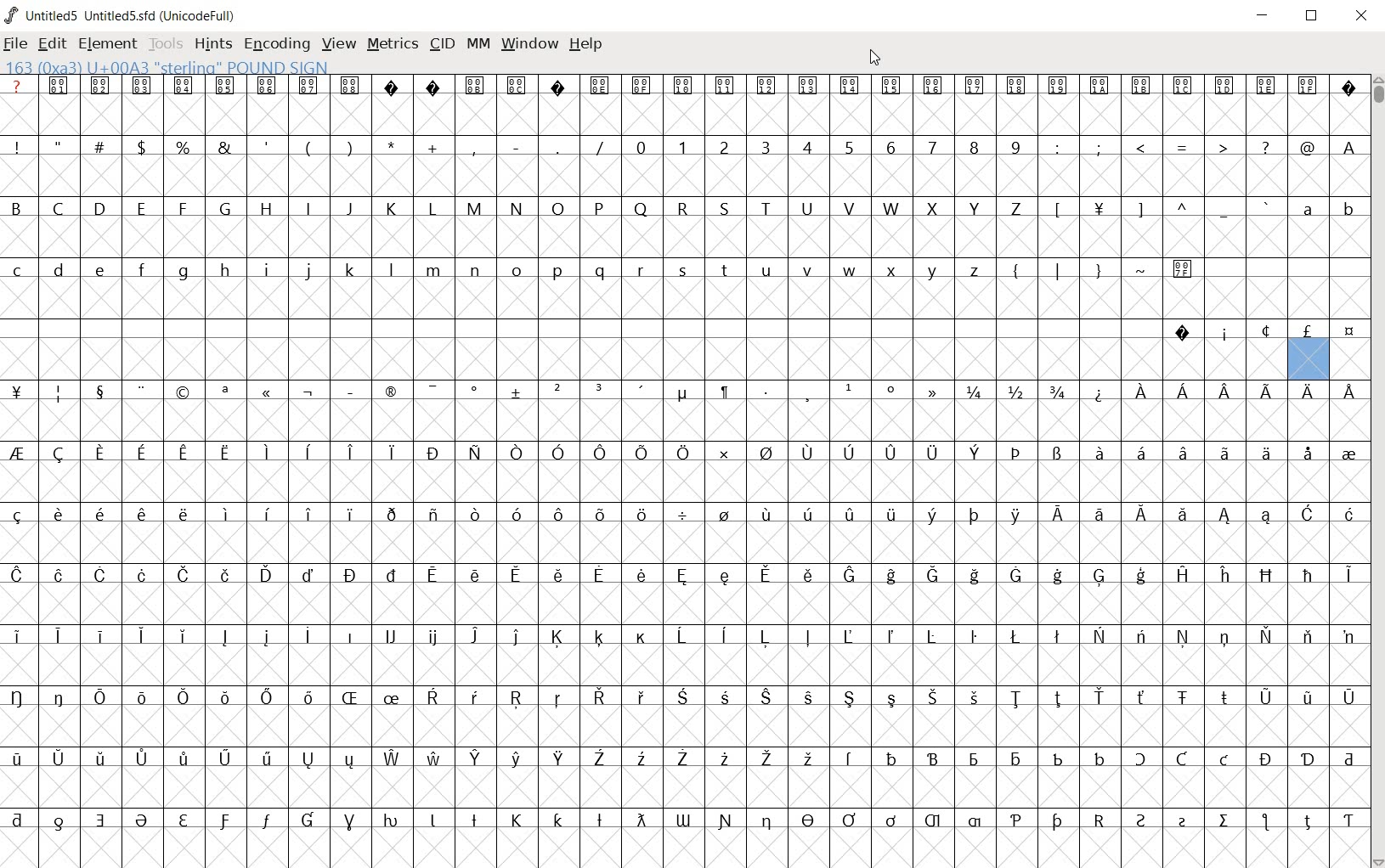 This screenshot has height=868, width=1385. What do you see at coordinates (891, 518) in the screenshot?
I see `Symbol` at bounding box center [891, 518].